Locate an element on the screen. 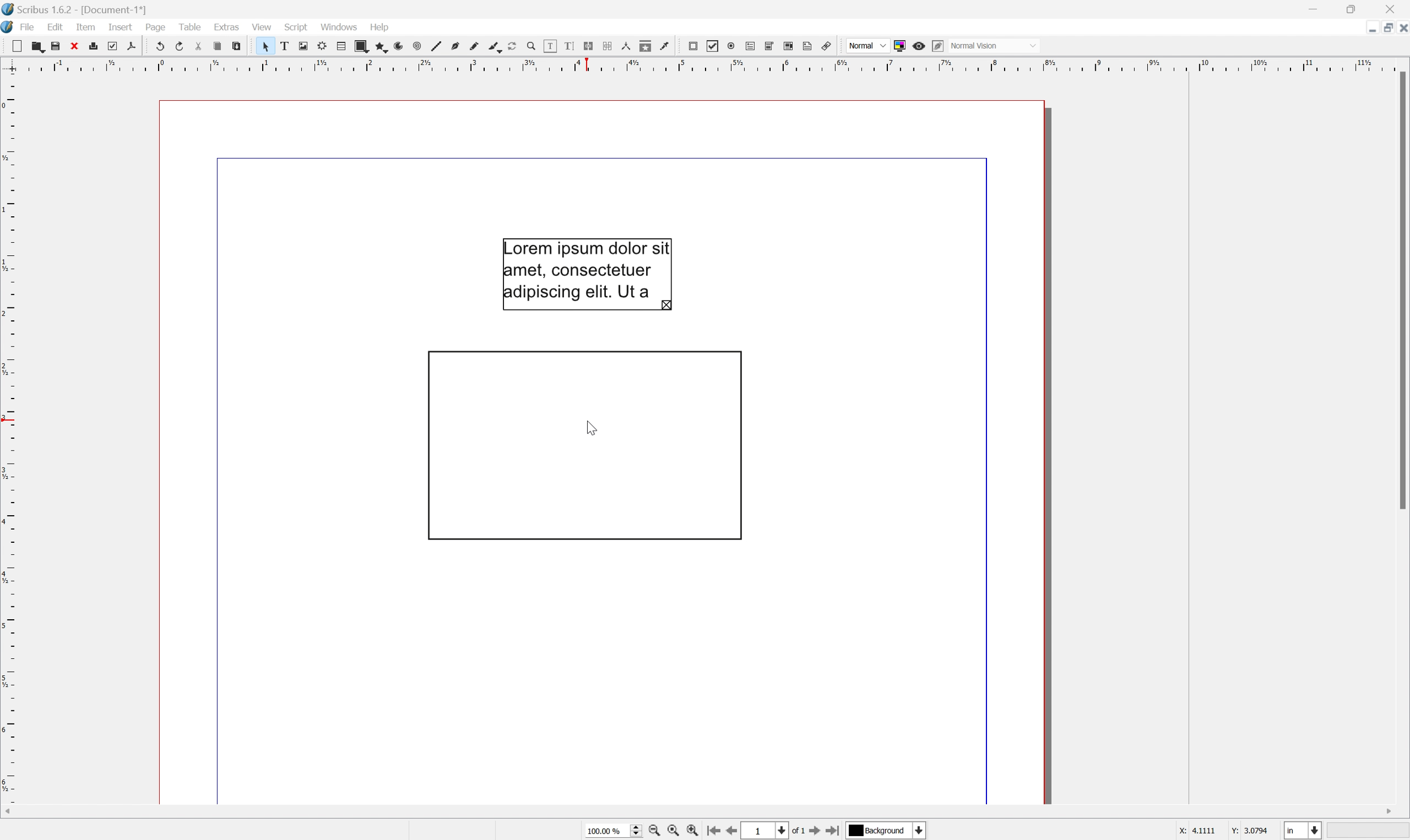 The width and height of the screenshot is (1410, 840). Select the current page is located at coordinates (768, 830).